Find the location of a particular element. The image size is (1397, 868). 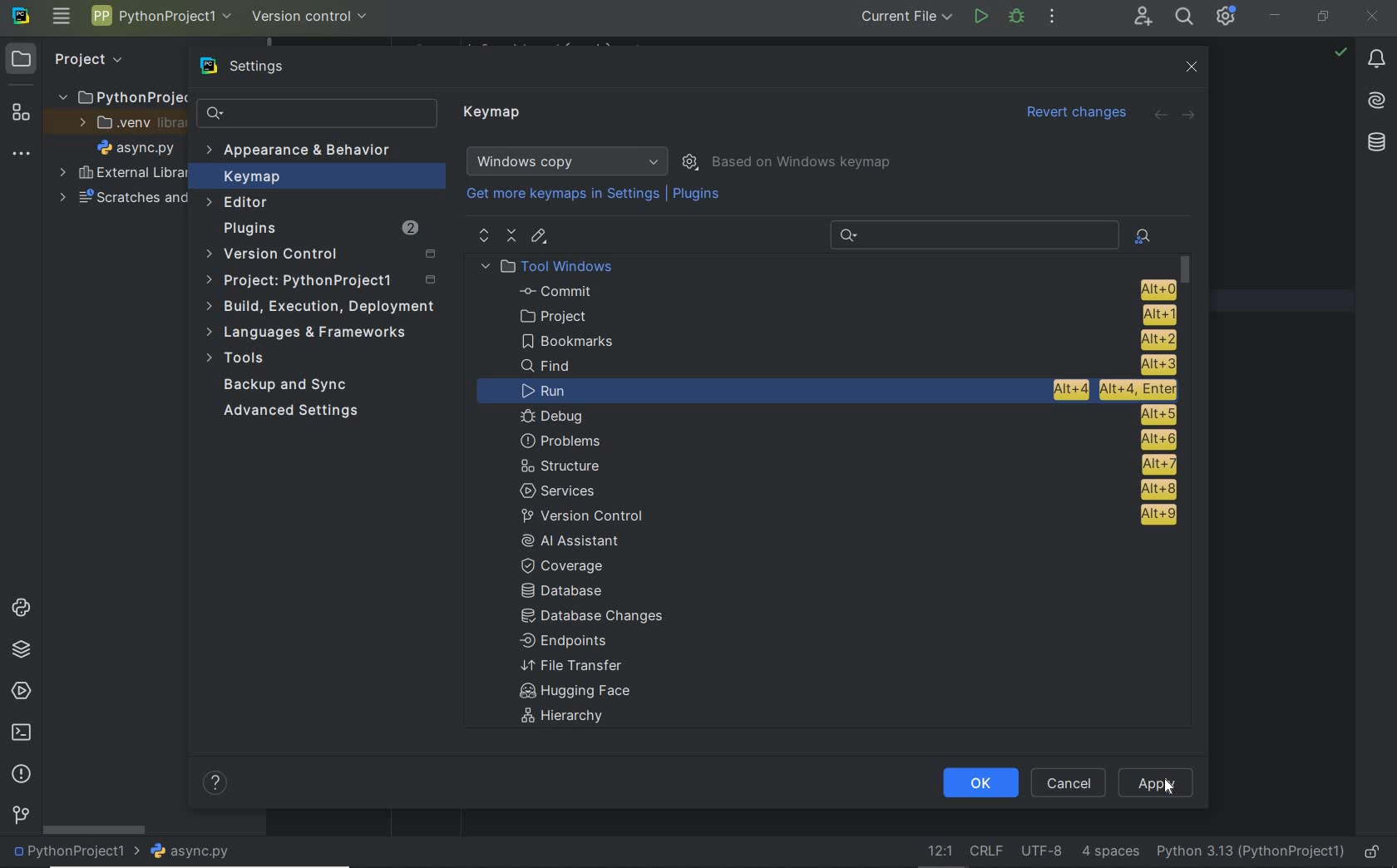

coverage is located at coordinates (572, 565).